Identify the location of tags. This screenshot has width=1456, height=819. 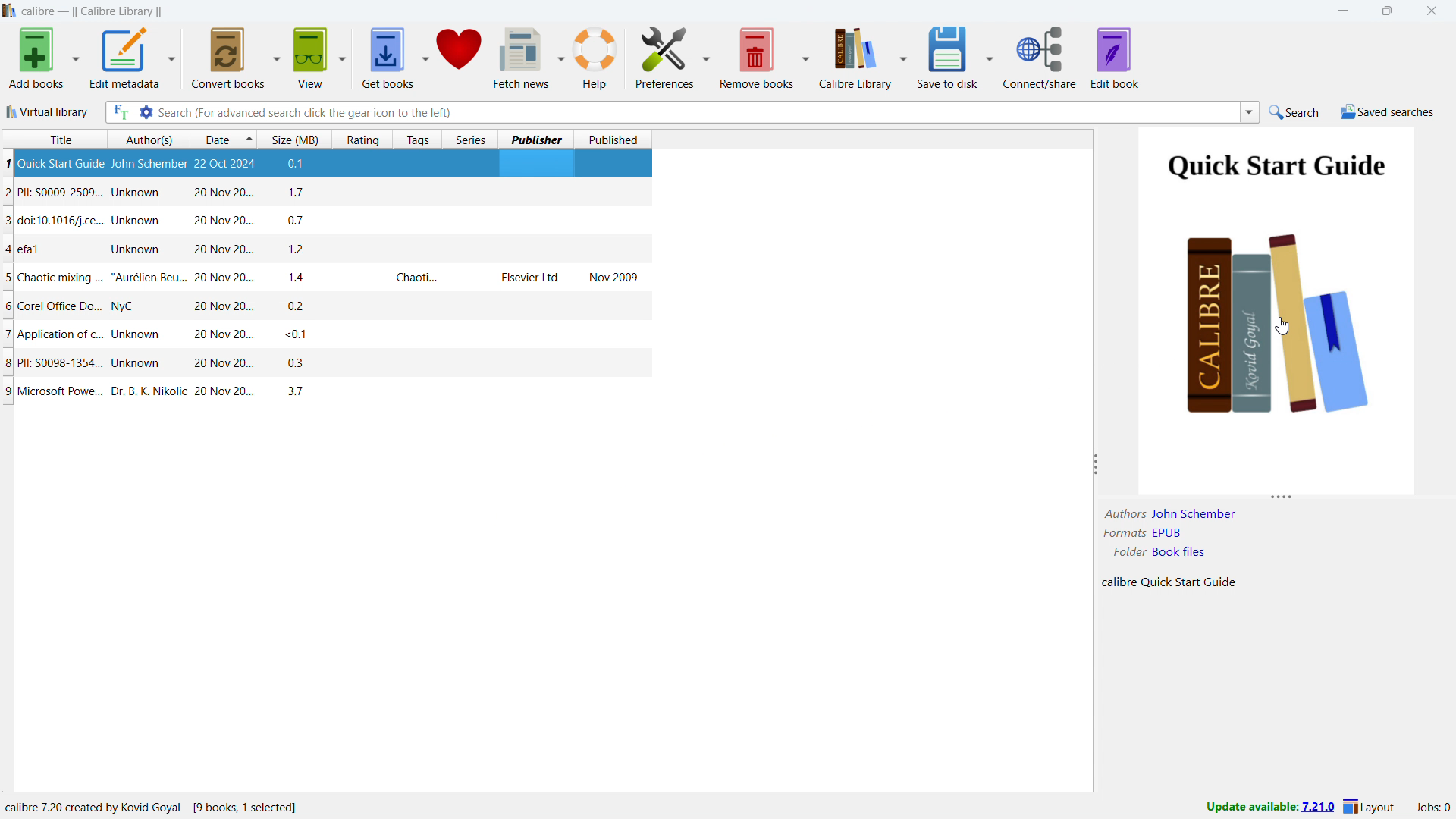
(418, 139).